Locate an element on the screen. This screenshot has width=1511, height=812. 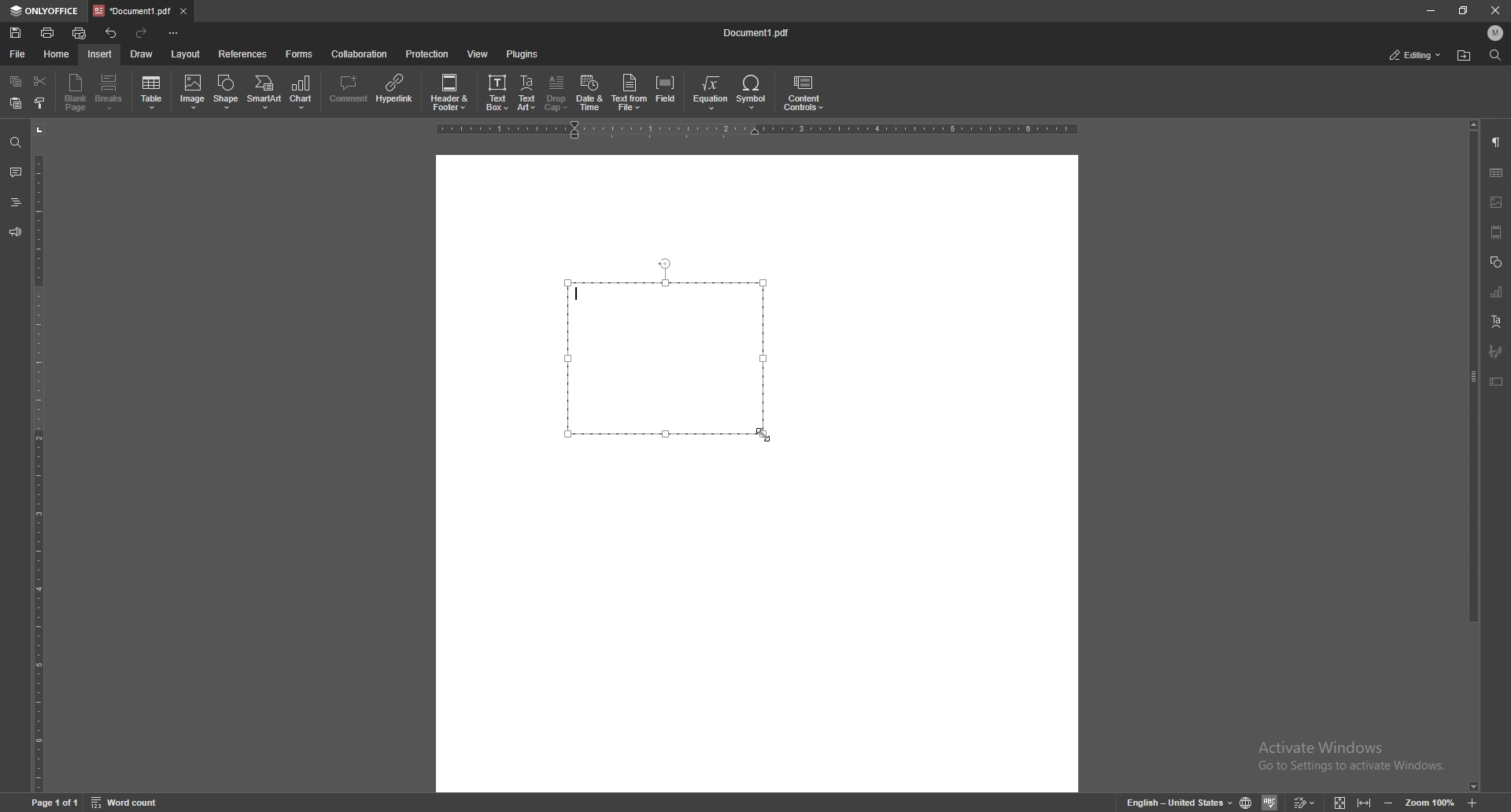
header and footer is located at coordinates (1496, 232).